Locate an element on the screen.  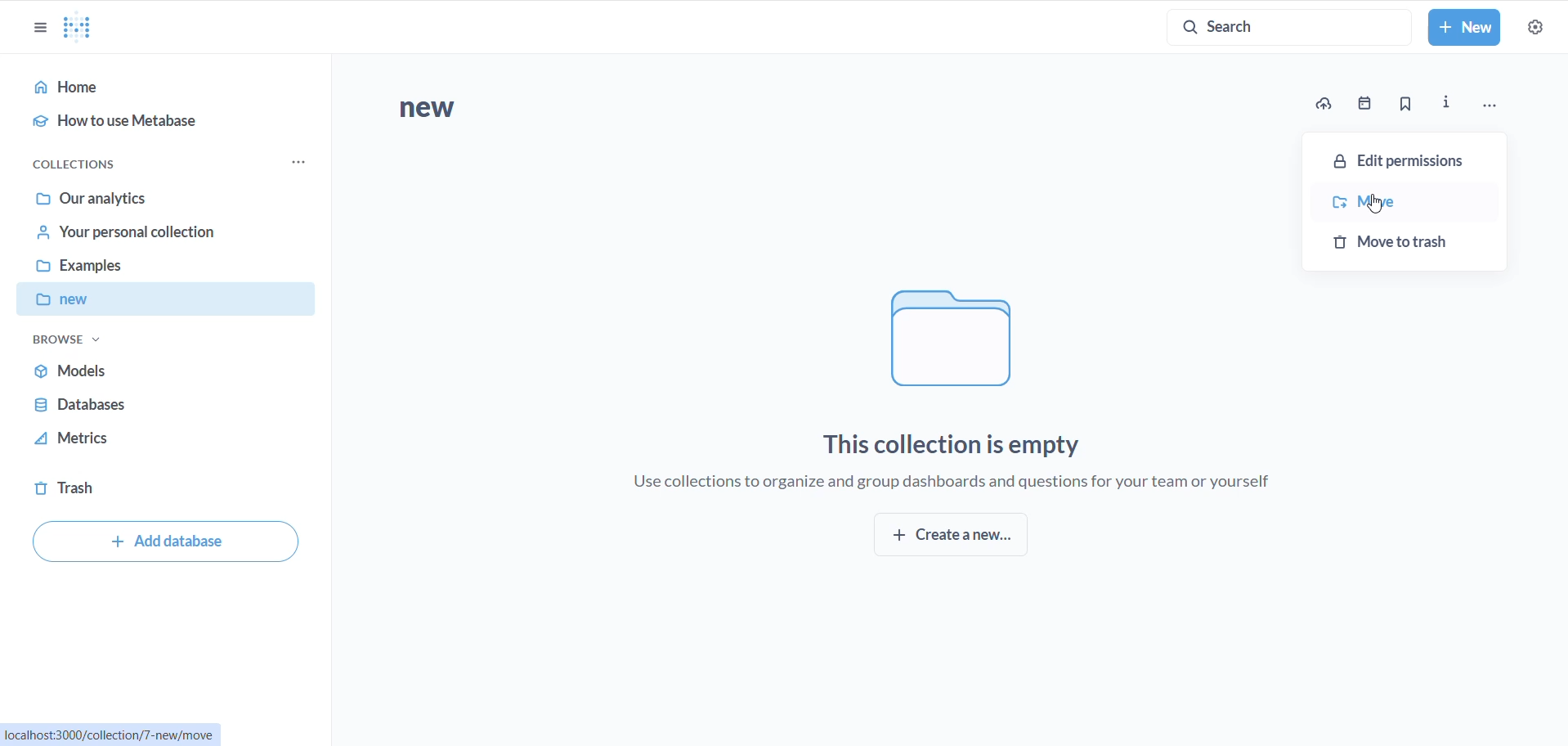
cursor is located at coordinates (1382, 207).